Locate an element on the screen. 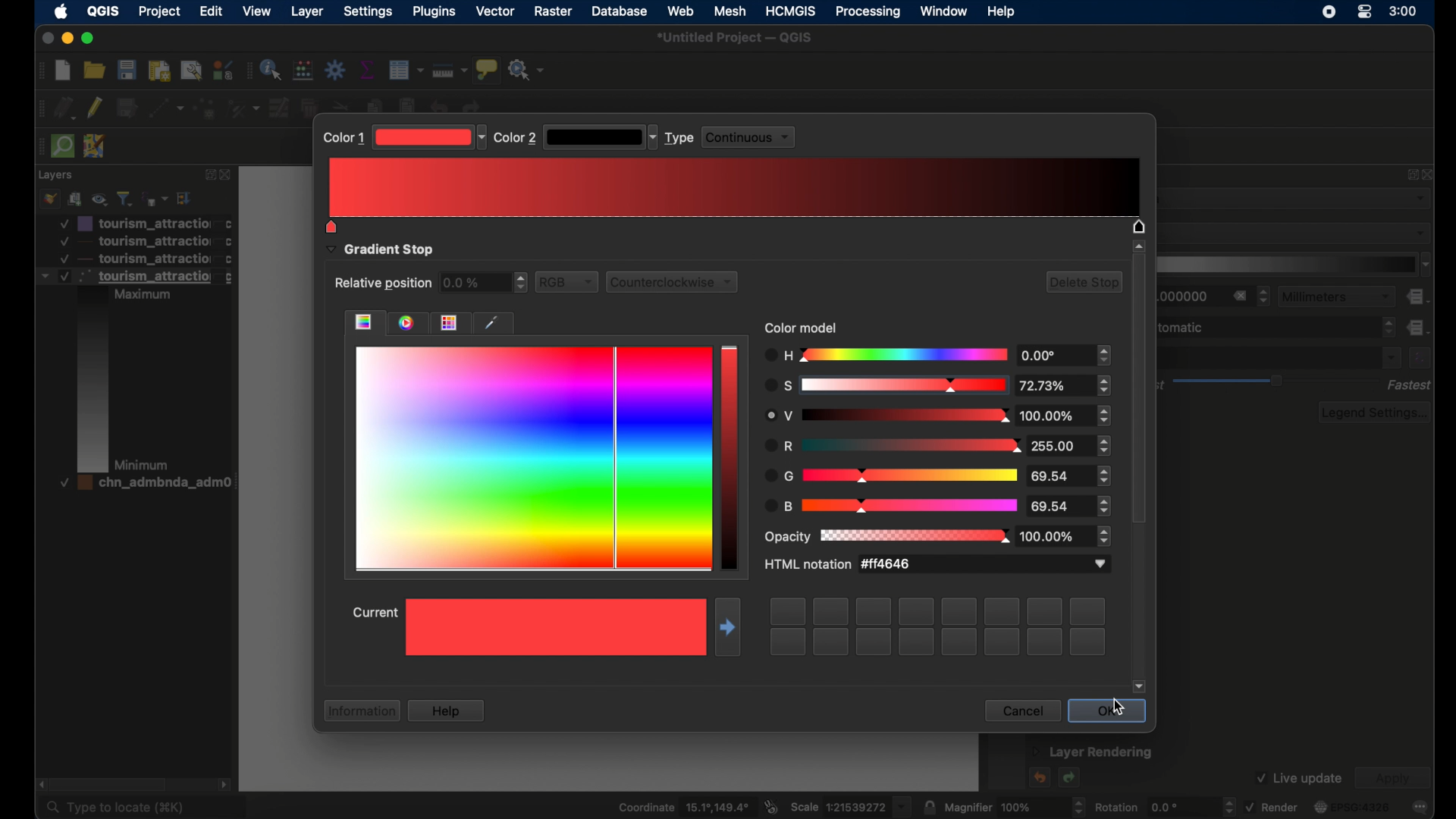 This screenshot has height=819, width=1456. selected color preview is located at coordinates (556, 629).